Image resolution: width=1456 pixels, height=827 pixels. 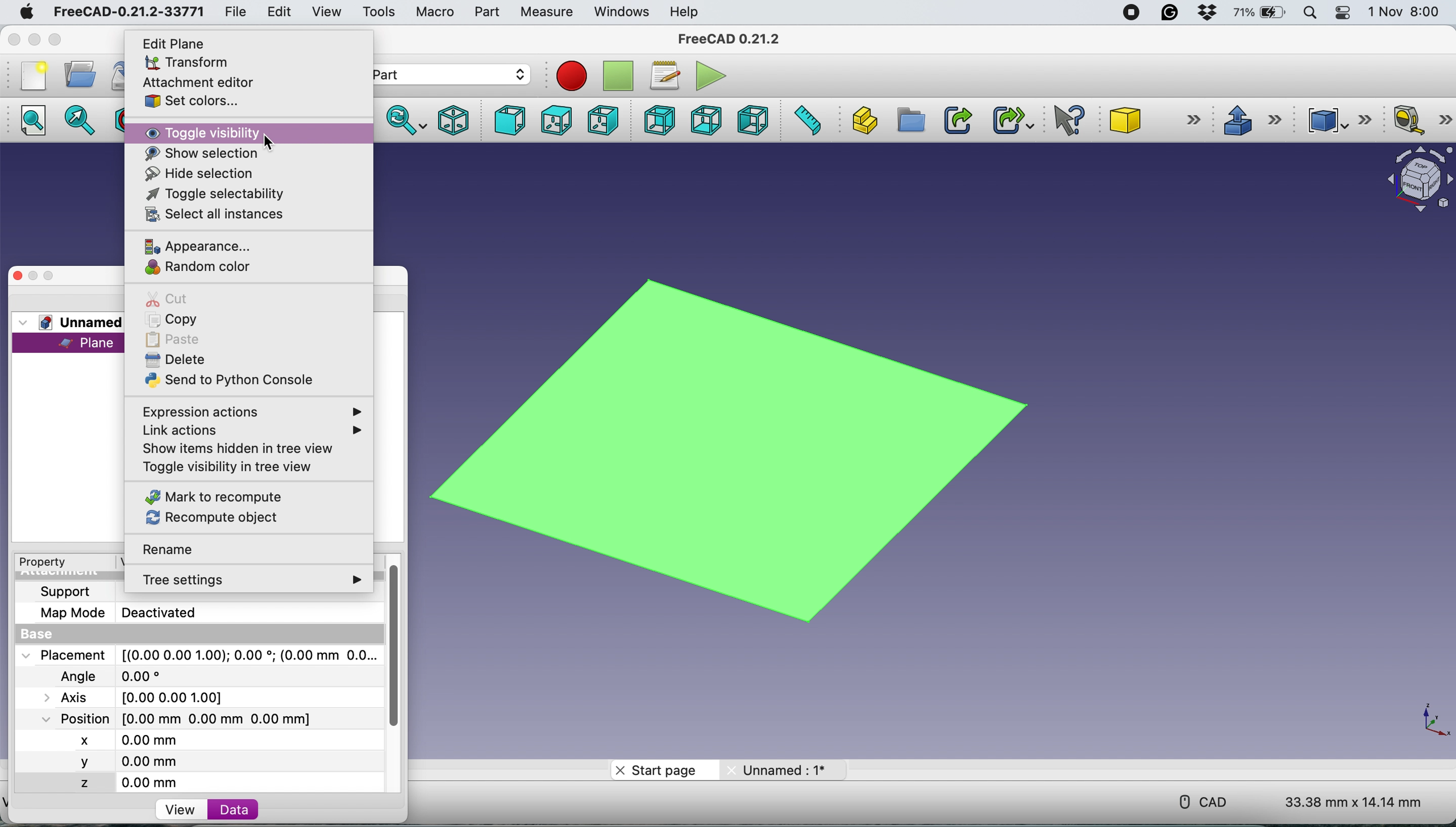 What do you see at coordinates (201, 653) in the screenshot?
I see `Placement  [(0.00 0.00 1.00);0.00; (0.00 mm 0.0...` at bounding box center [201, 653].